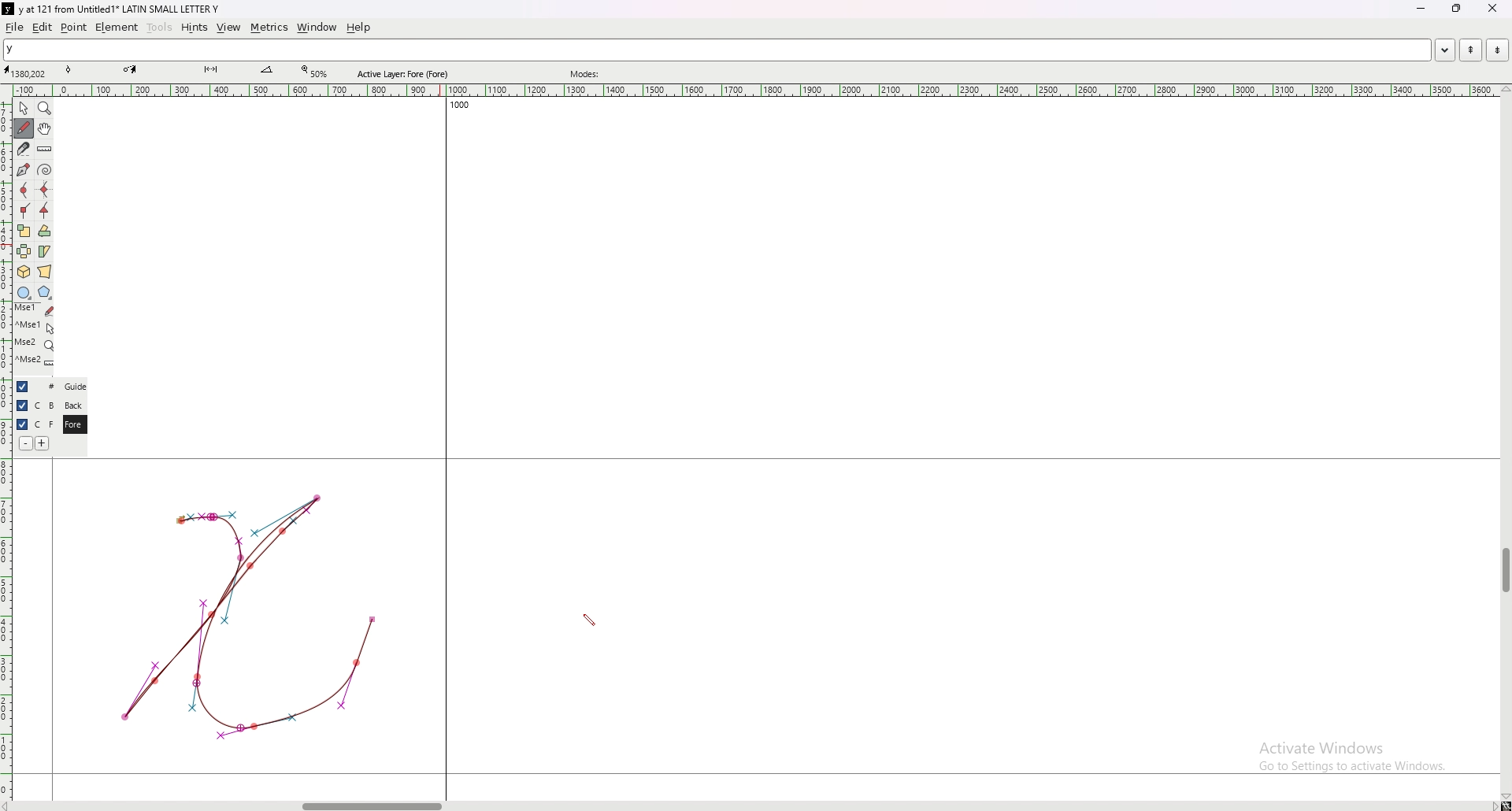  What do you see at coordinates (45, 231) in the screenshot?
I see `rotate the selection` at bounding box center [45, 231].